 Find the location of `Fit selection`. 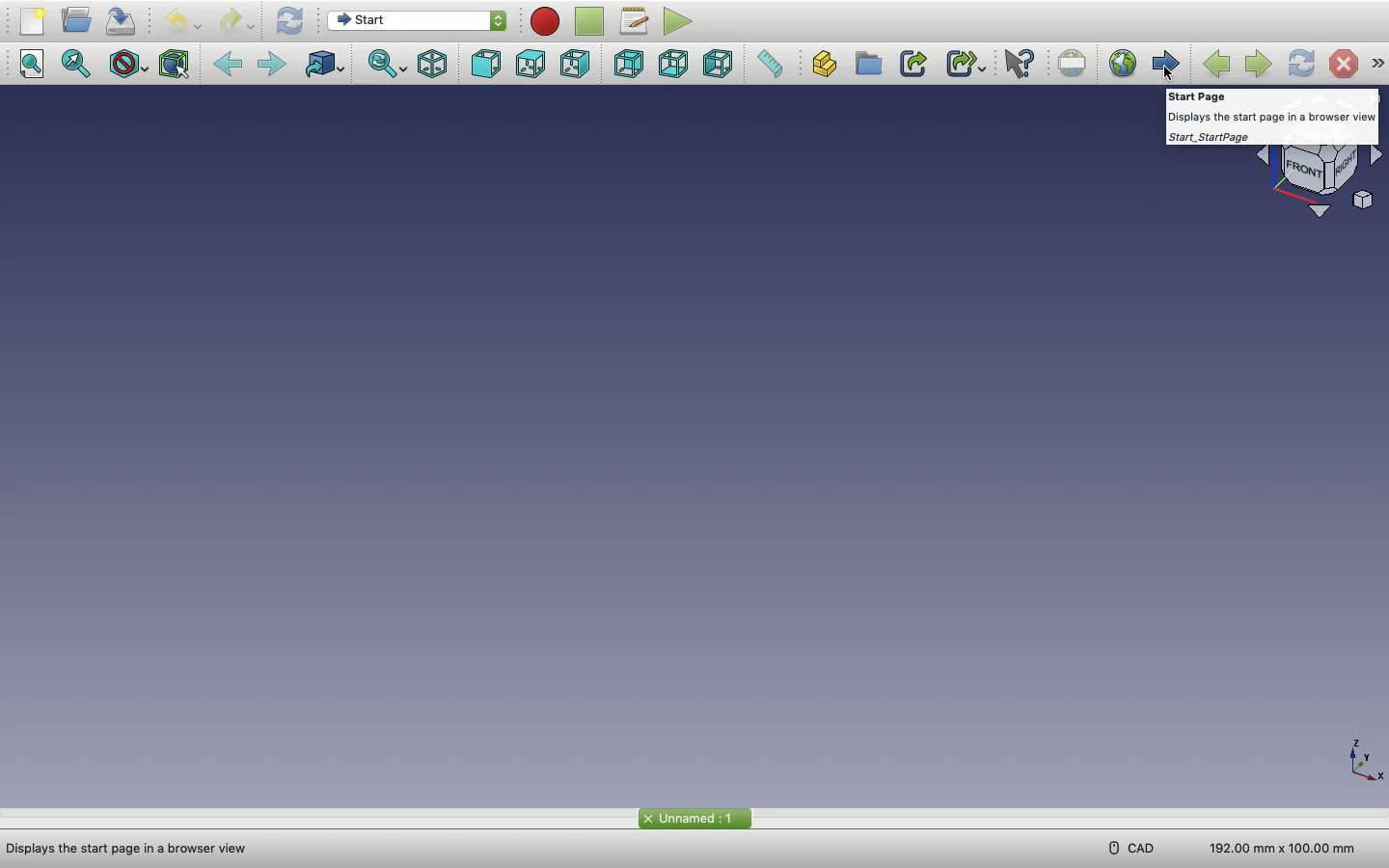

Fit selection is located at coordinates (80, 65).